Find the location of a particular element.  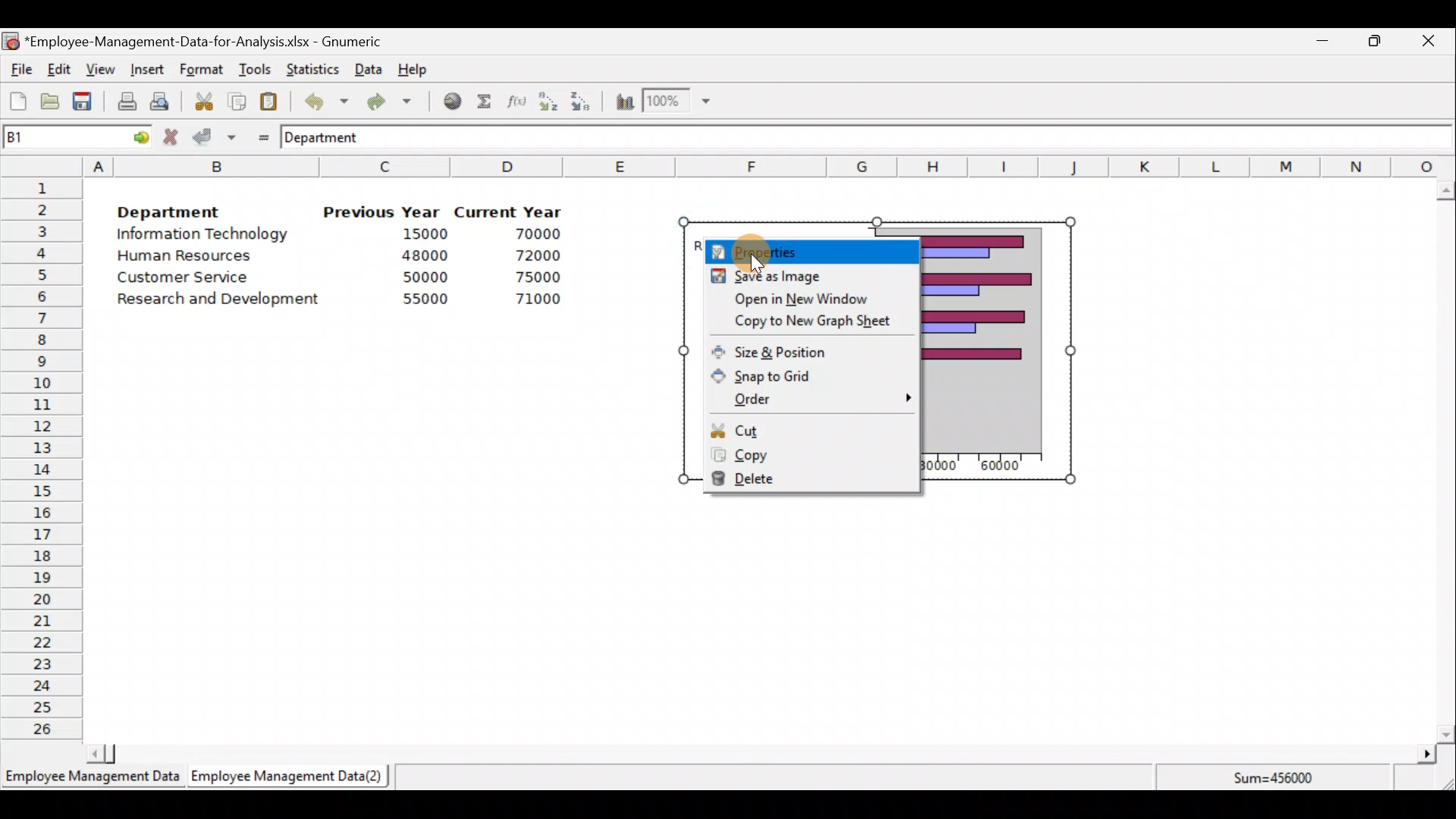

71000 is located at coordinates (533, 299).